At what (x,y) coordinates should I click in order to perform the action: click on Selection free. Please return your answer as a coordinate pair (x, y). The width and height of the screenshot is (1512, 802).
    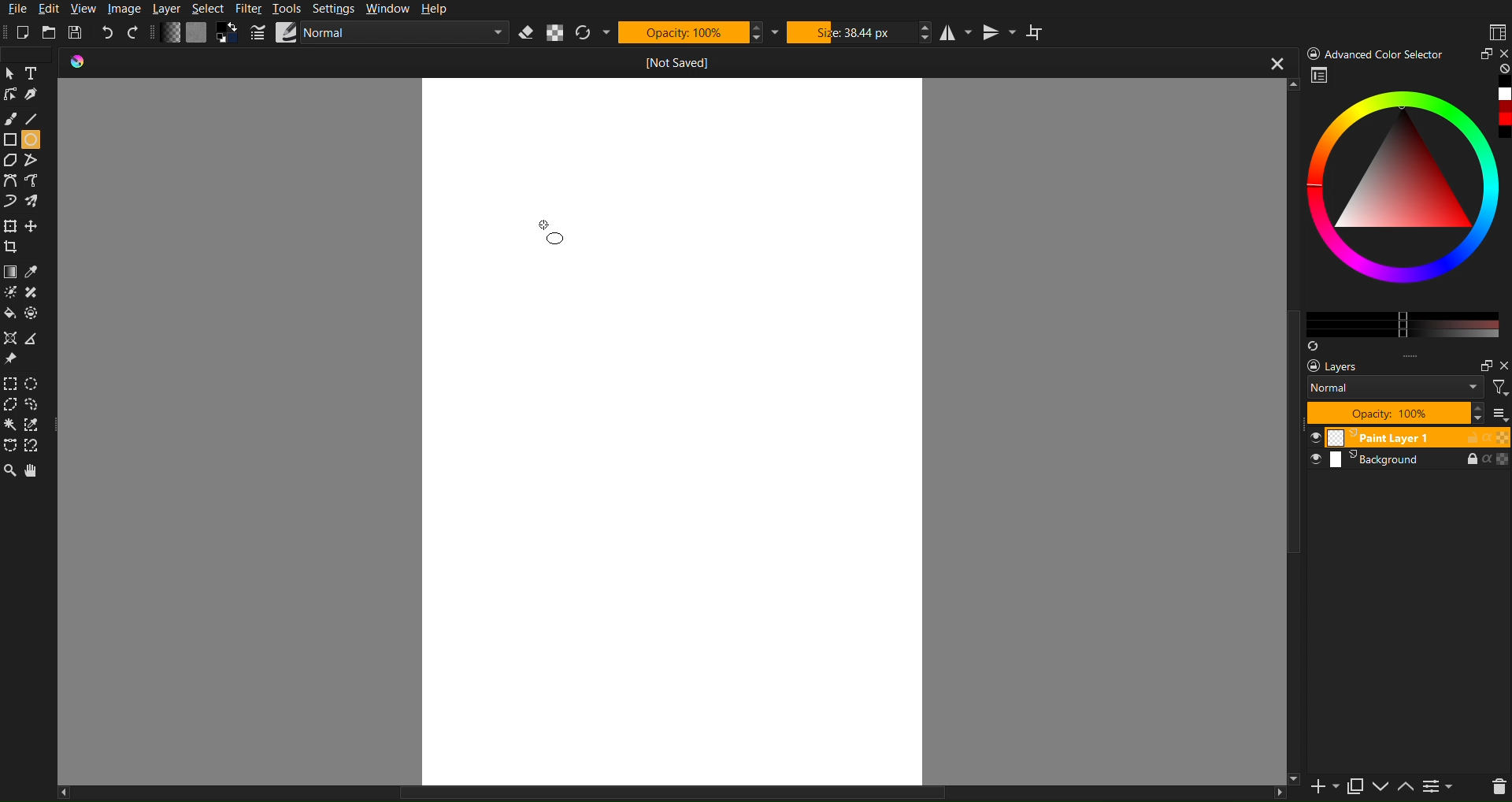
    Looking at the image, I should click on (32, 405).